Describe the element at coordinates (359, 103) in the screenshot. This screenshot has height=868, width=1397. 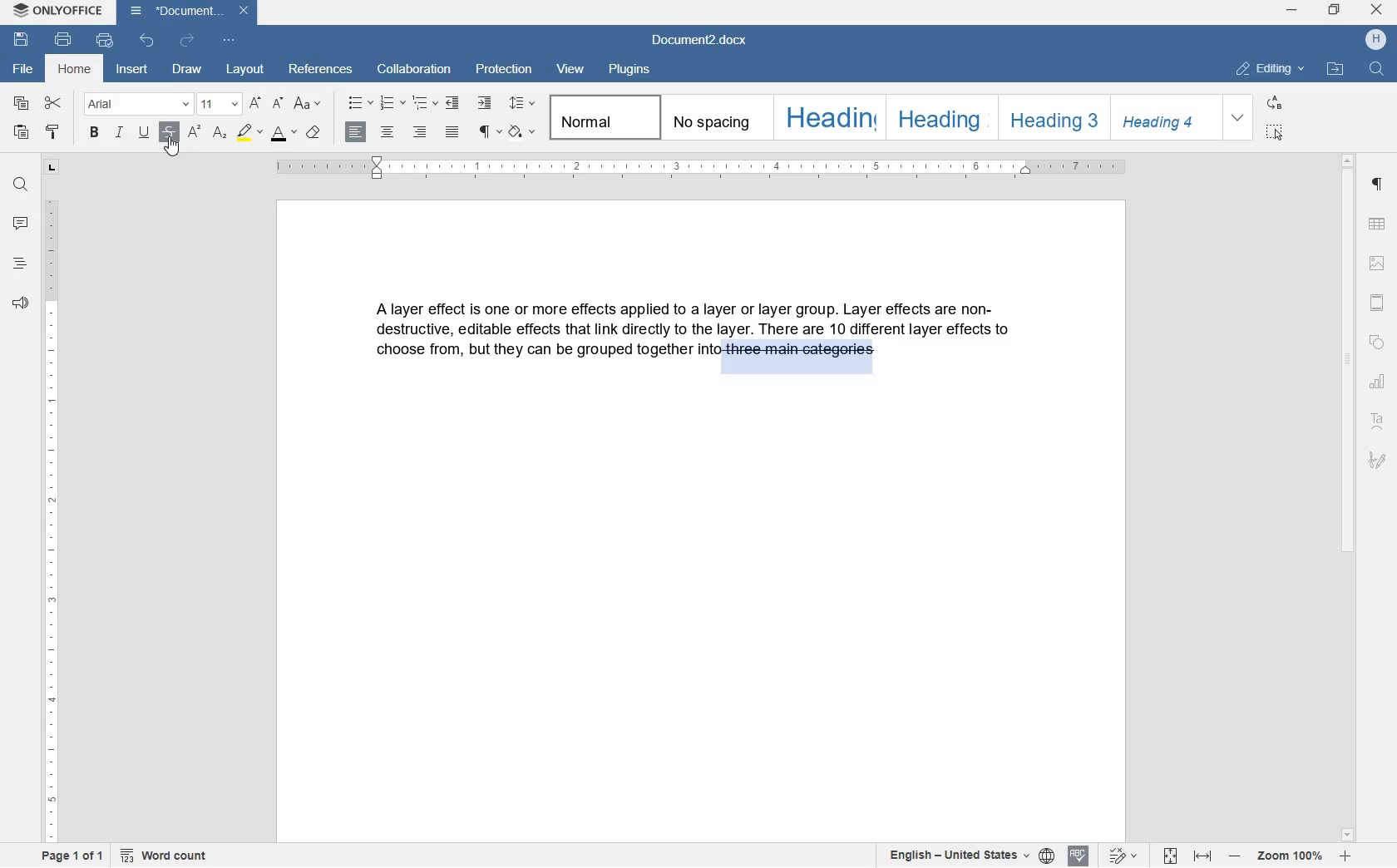
I see `bullet` at that location.